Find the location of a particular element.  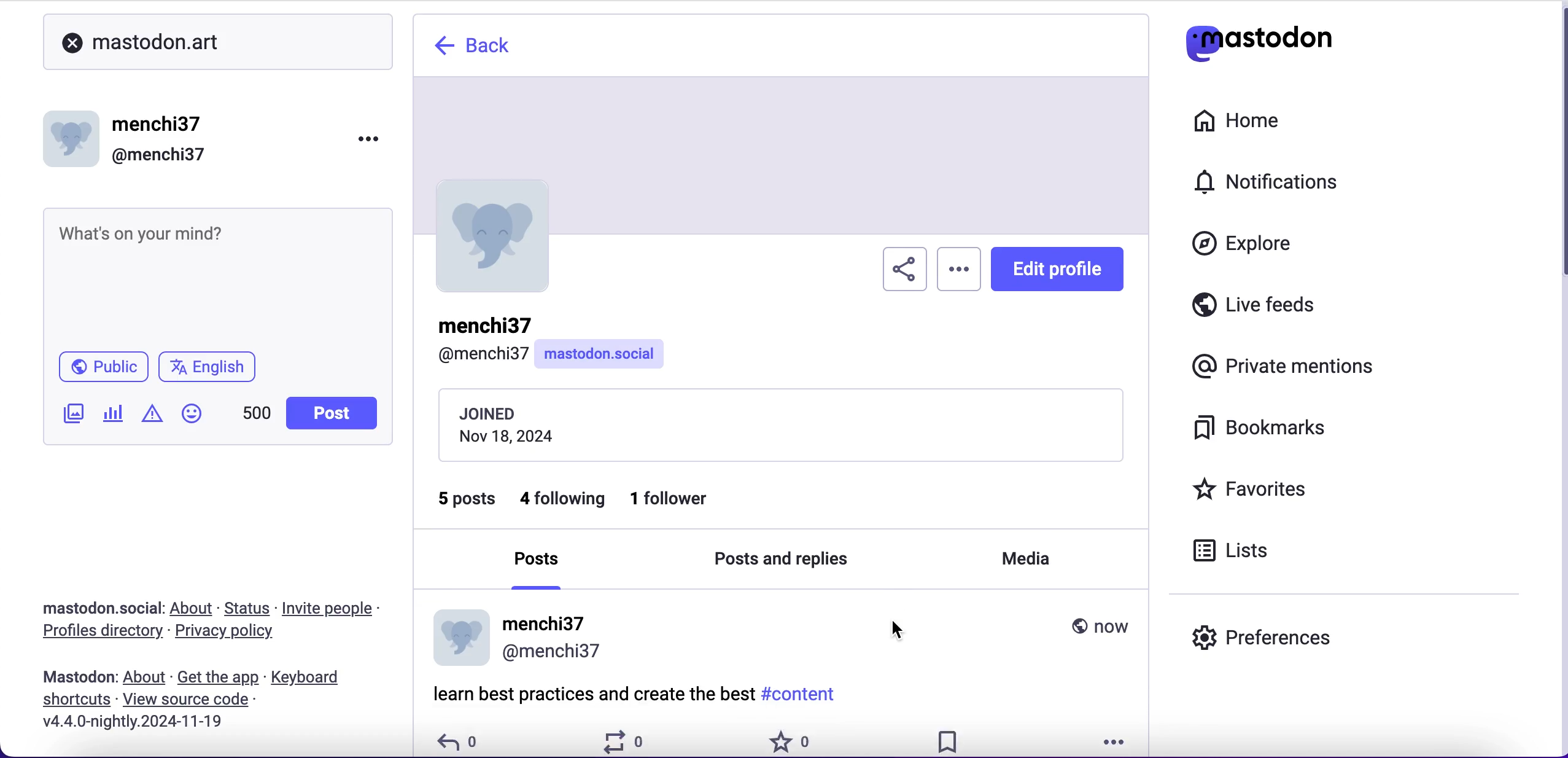

status is located at coordinates (248, 608).